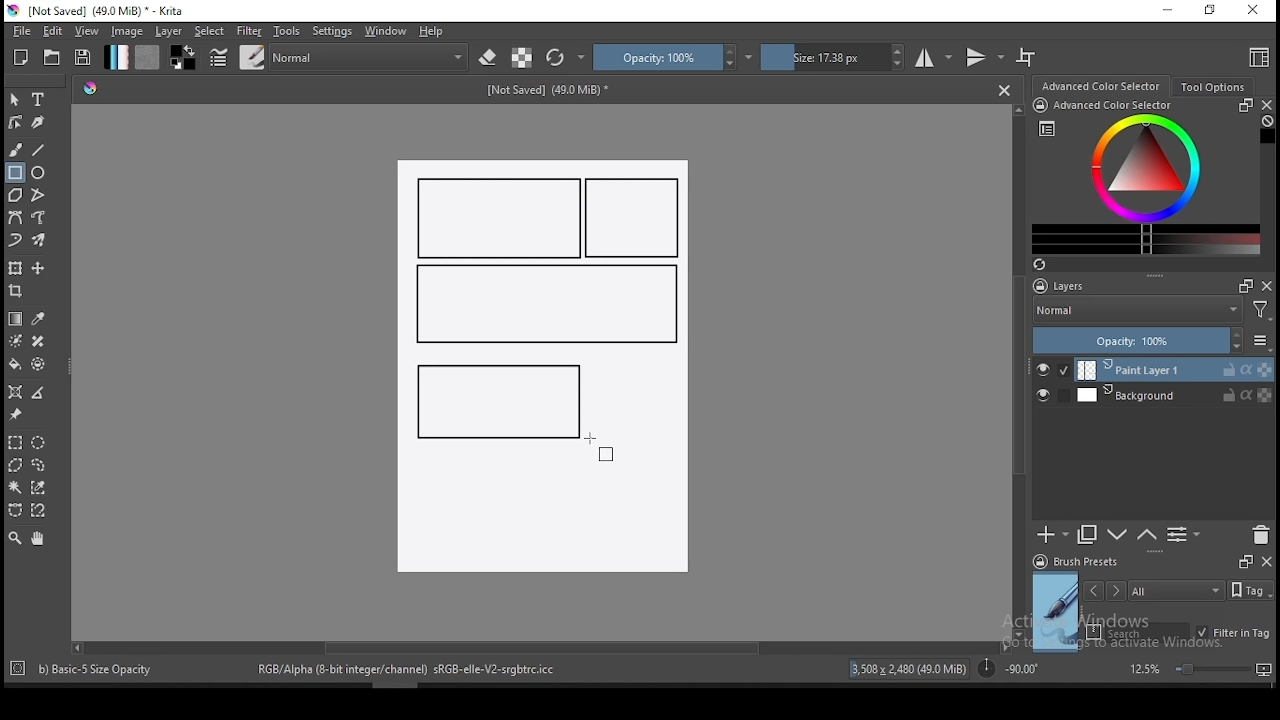 The width and height of the screenshot is (1280, 720). What do you see at coordinates (1257, 57) in the screenshot?
I see `choose workspace` at bounding box center [1257, 57].